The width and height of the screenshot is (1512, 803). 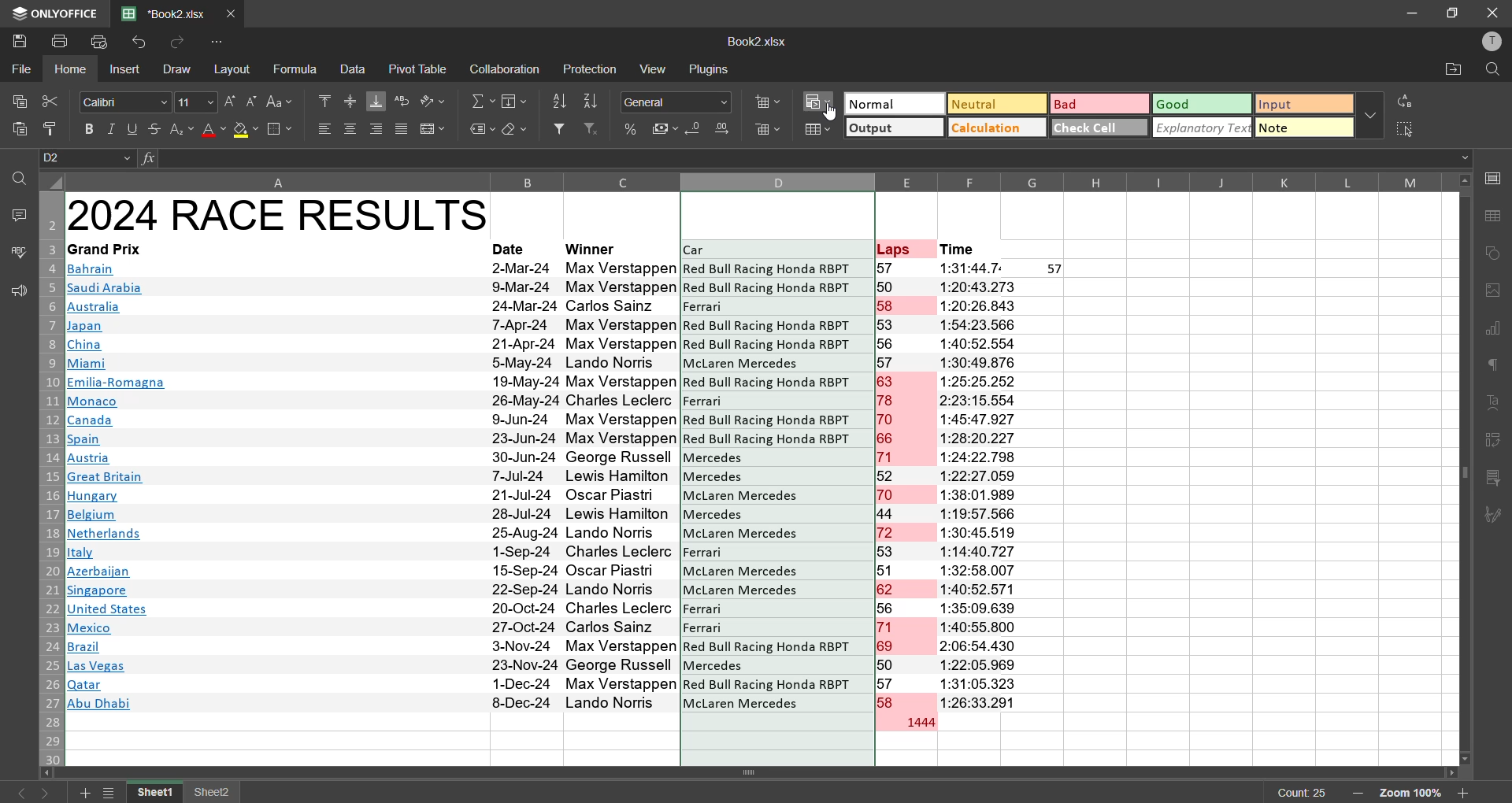 What do you see at coordinates (832, 113) in the screenshot?
I see `cursor` at bounding box center [832, 113].